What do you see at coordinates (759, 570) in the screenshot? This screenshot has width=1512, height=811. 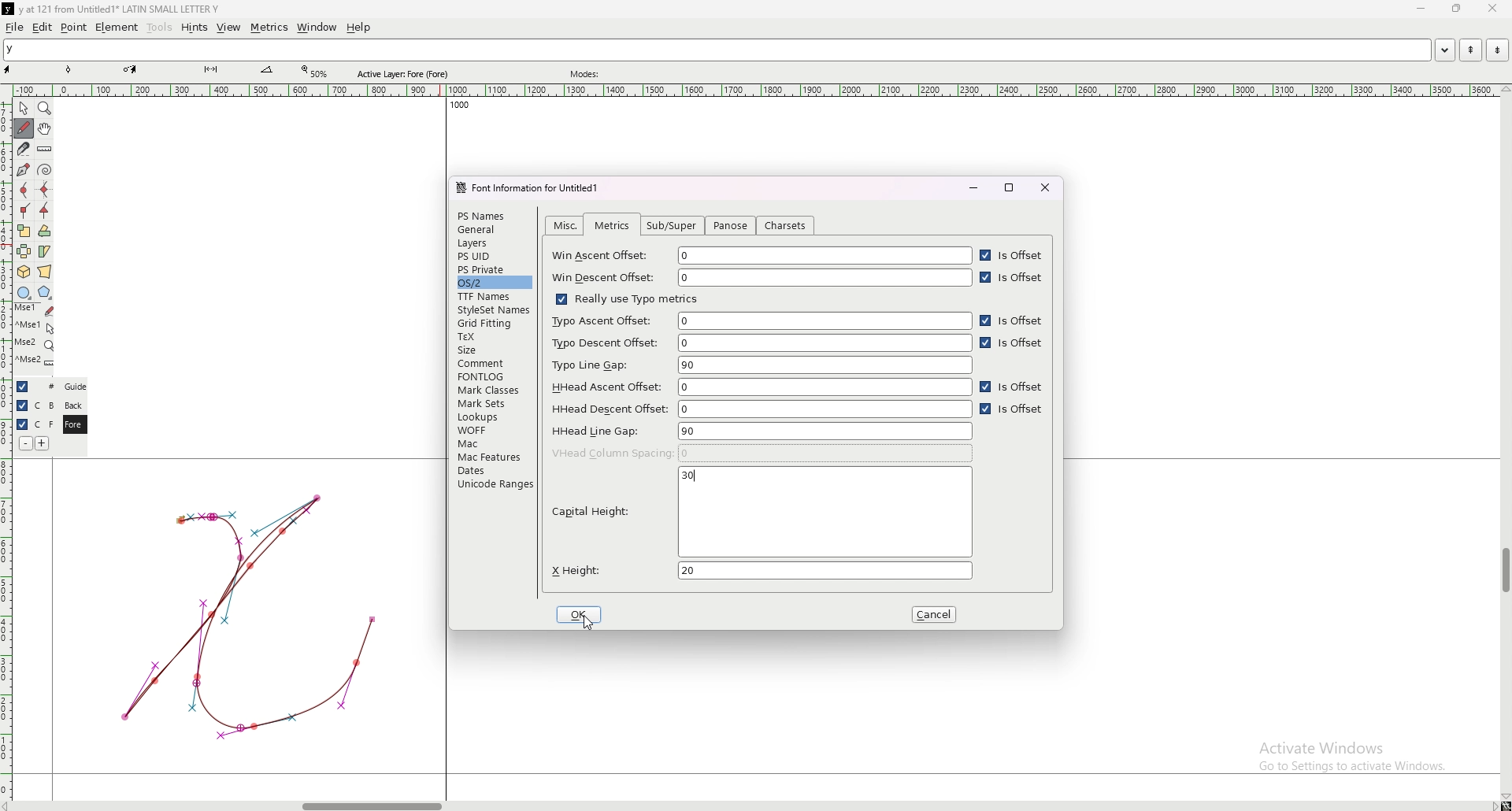 I see `x height 20` at bounding box center [759, 570].